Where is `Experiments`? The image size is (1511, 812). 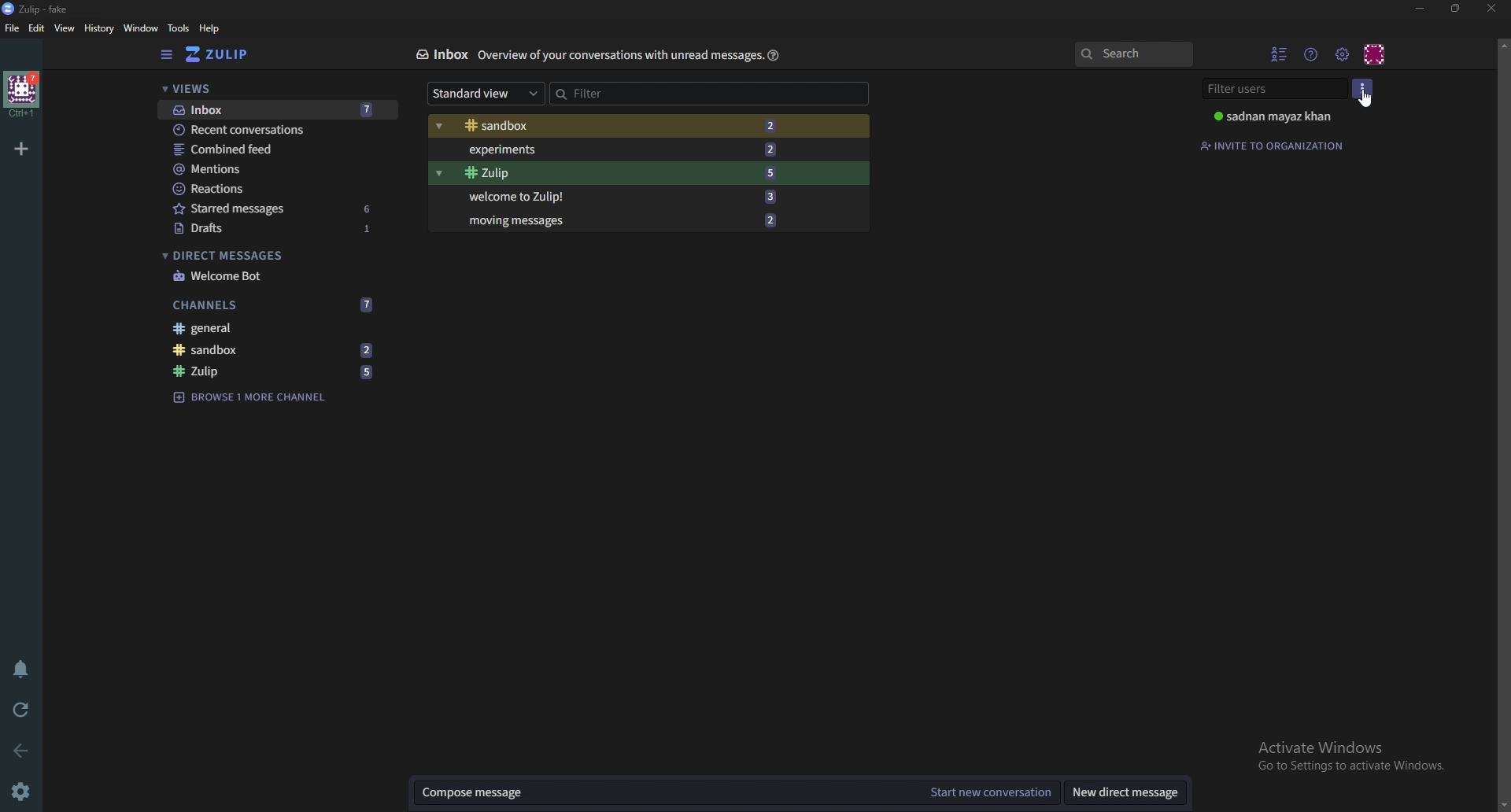 Experiments is located at coordinates (615, 150).